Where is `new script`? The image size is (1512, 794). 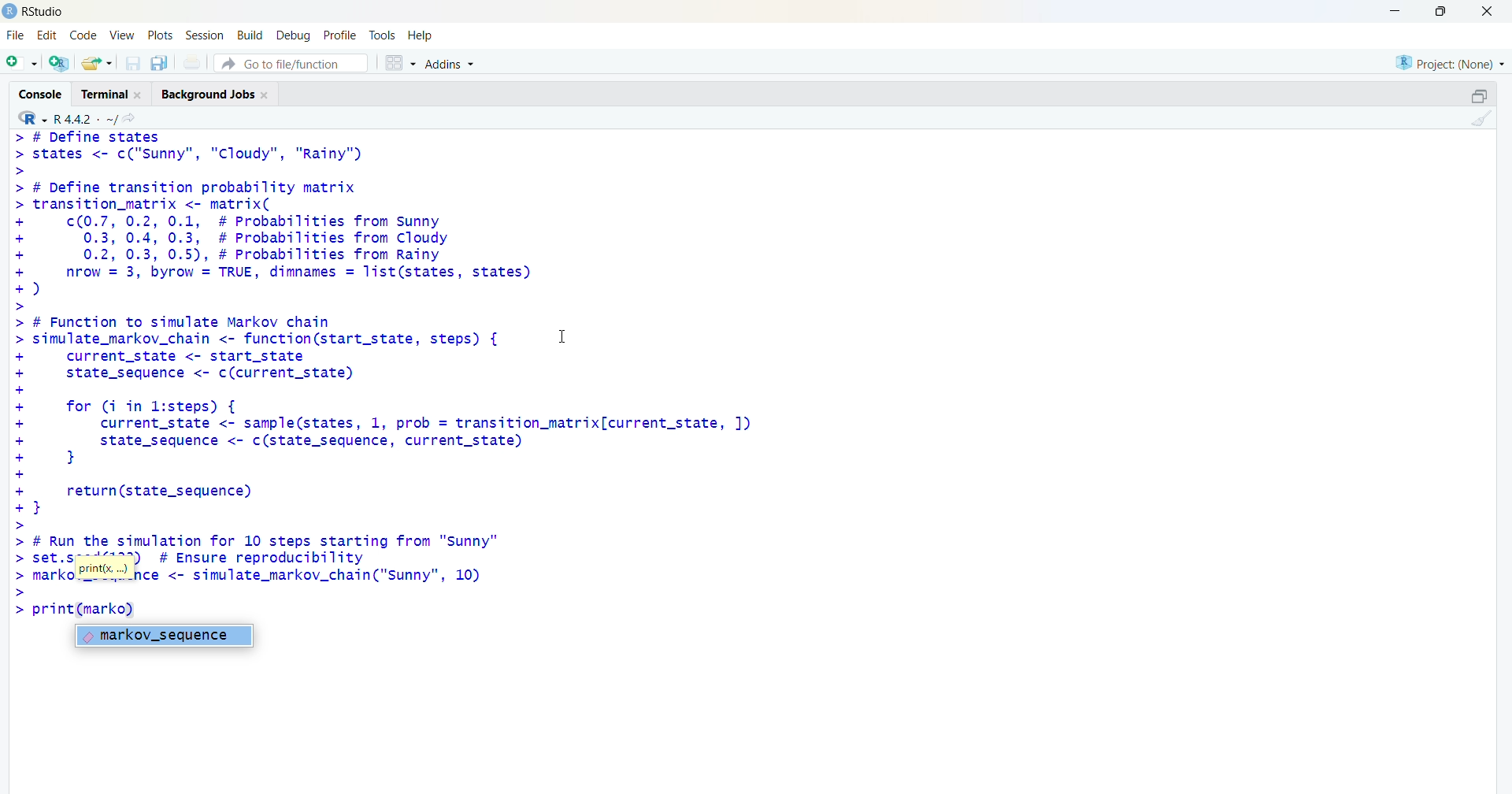 new script is located at coordinates (21, 62).